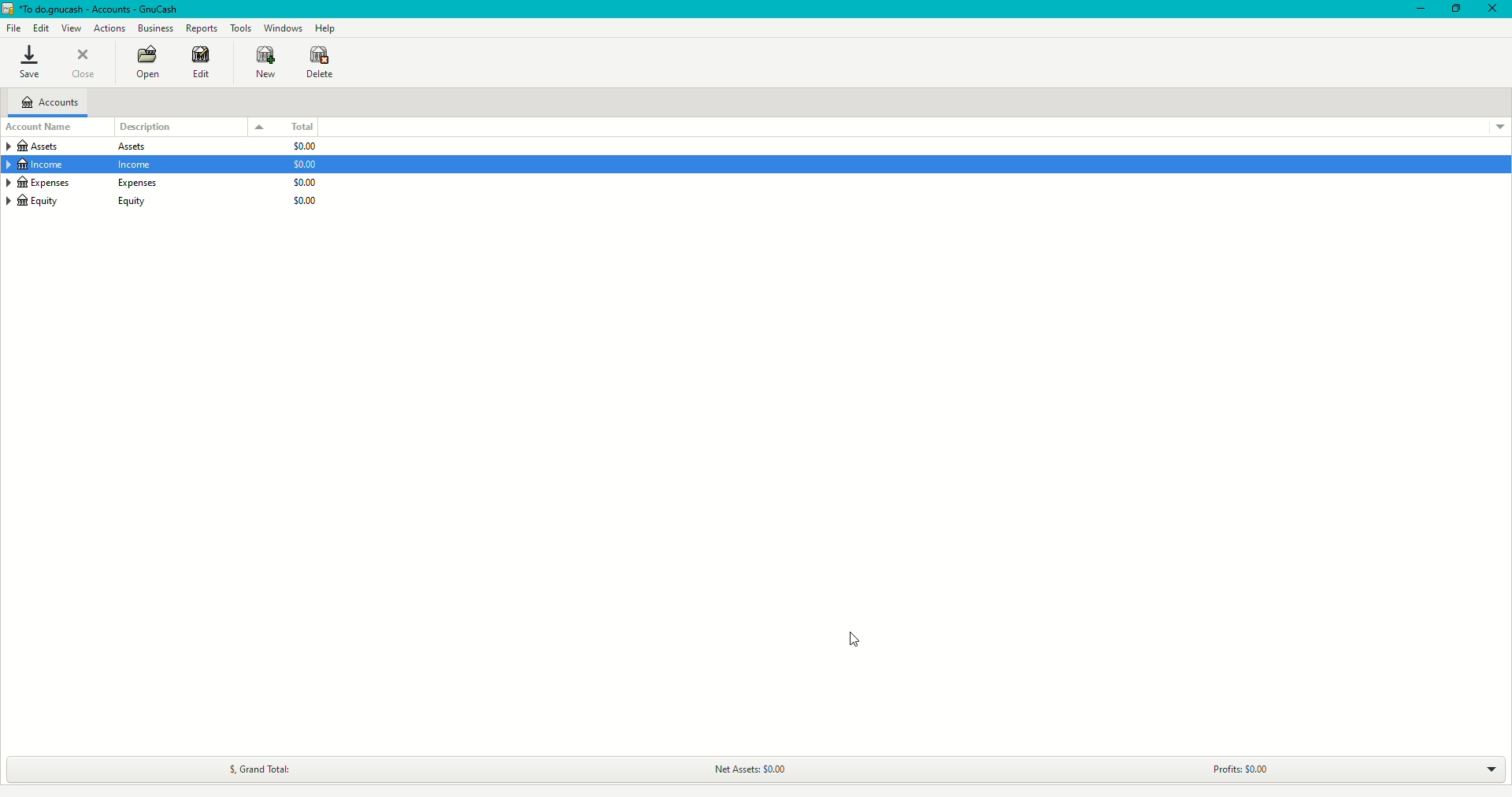 The height and width of the screenshot is (797, 1512). Describe the element at coordinates (263, 64) in the screenshot. I see `New` at that location.